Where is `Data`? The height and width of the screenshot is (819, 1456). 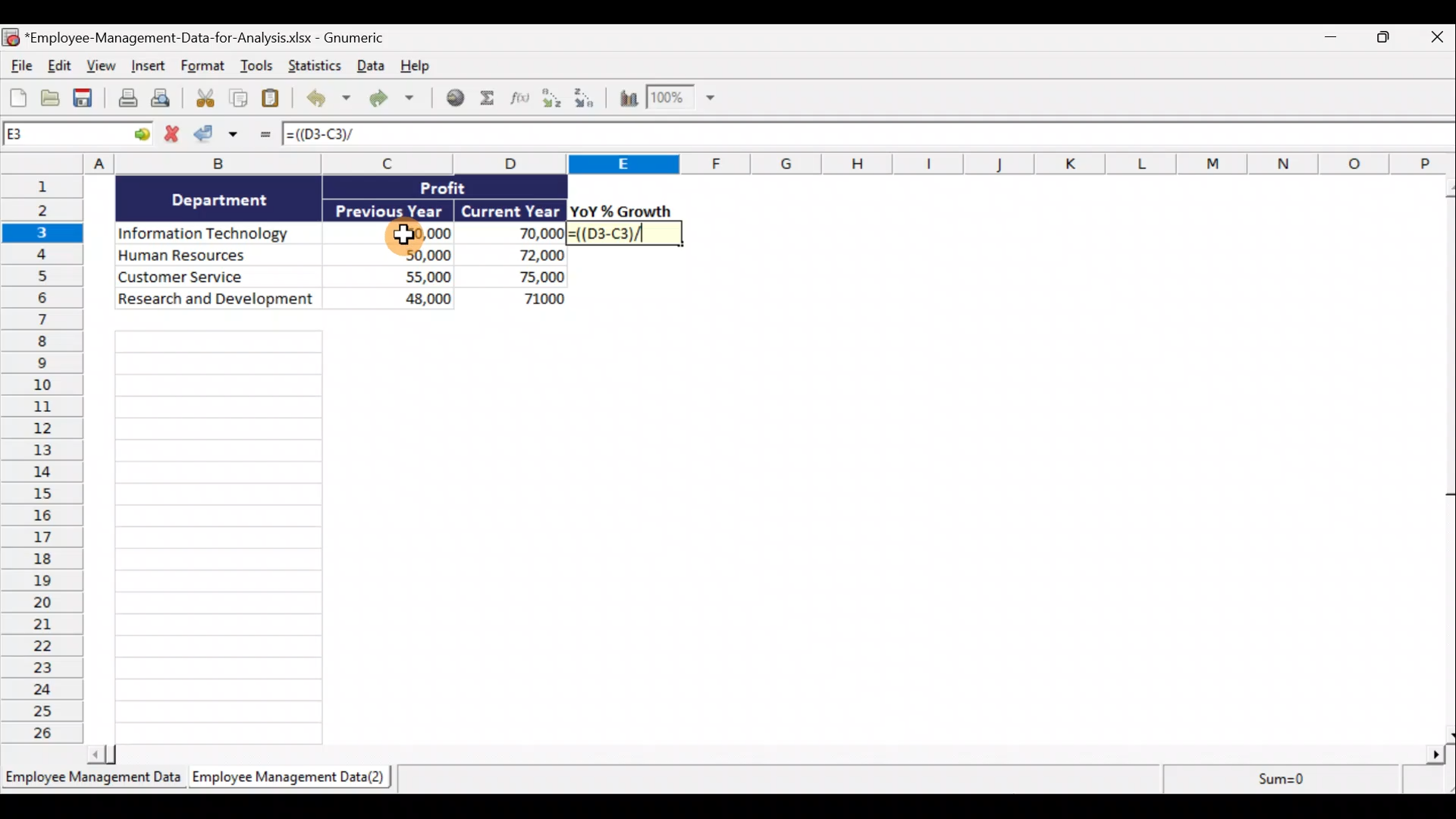
Data is located at coordinates (368, 67).